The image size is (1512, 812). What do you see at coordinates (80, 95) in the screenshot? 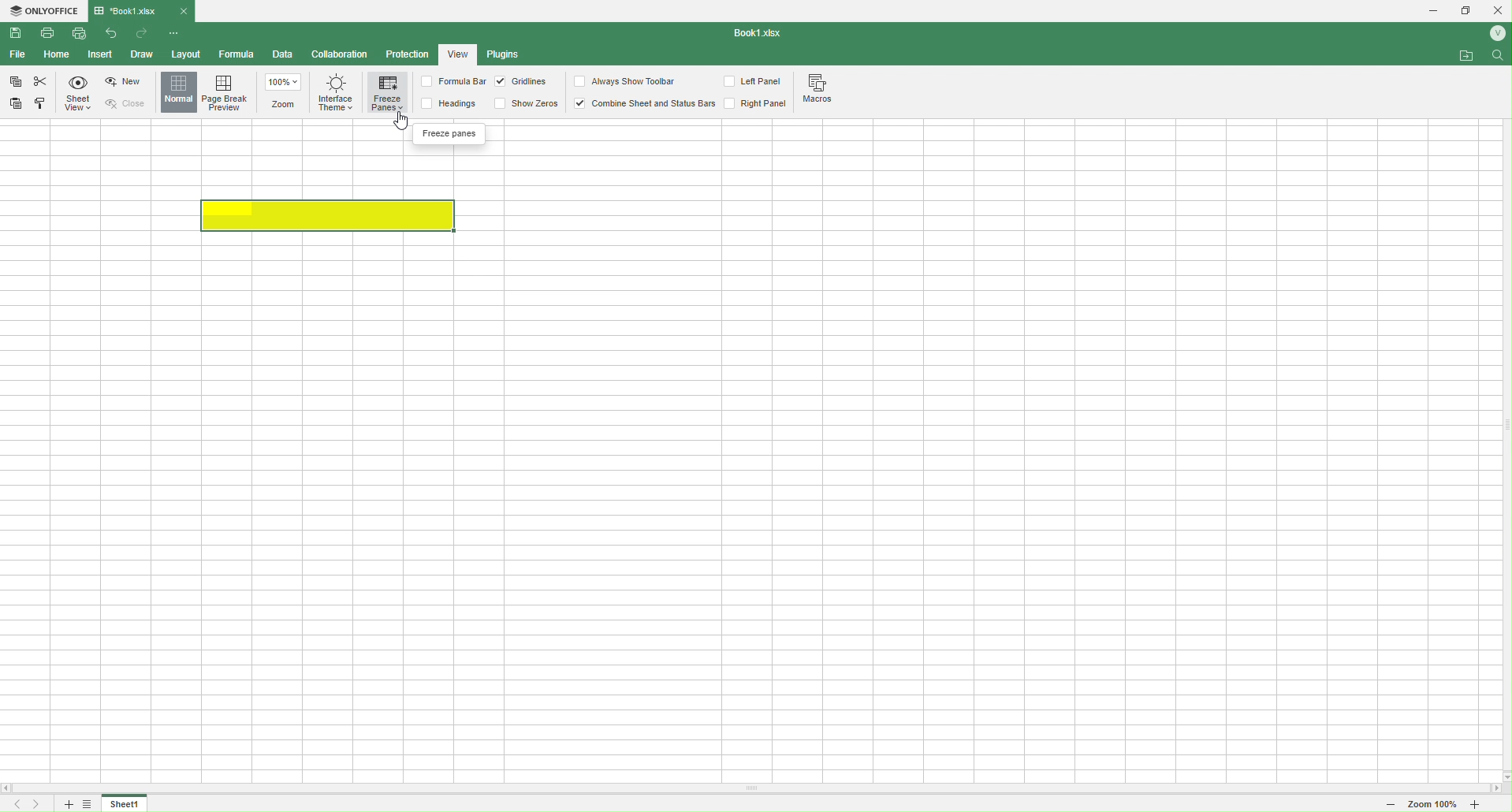
I see `Sheet View` at bounding box center [80, 95].